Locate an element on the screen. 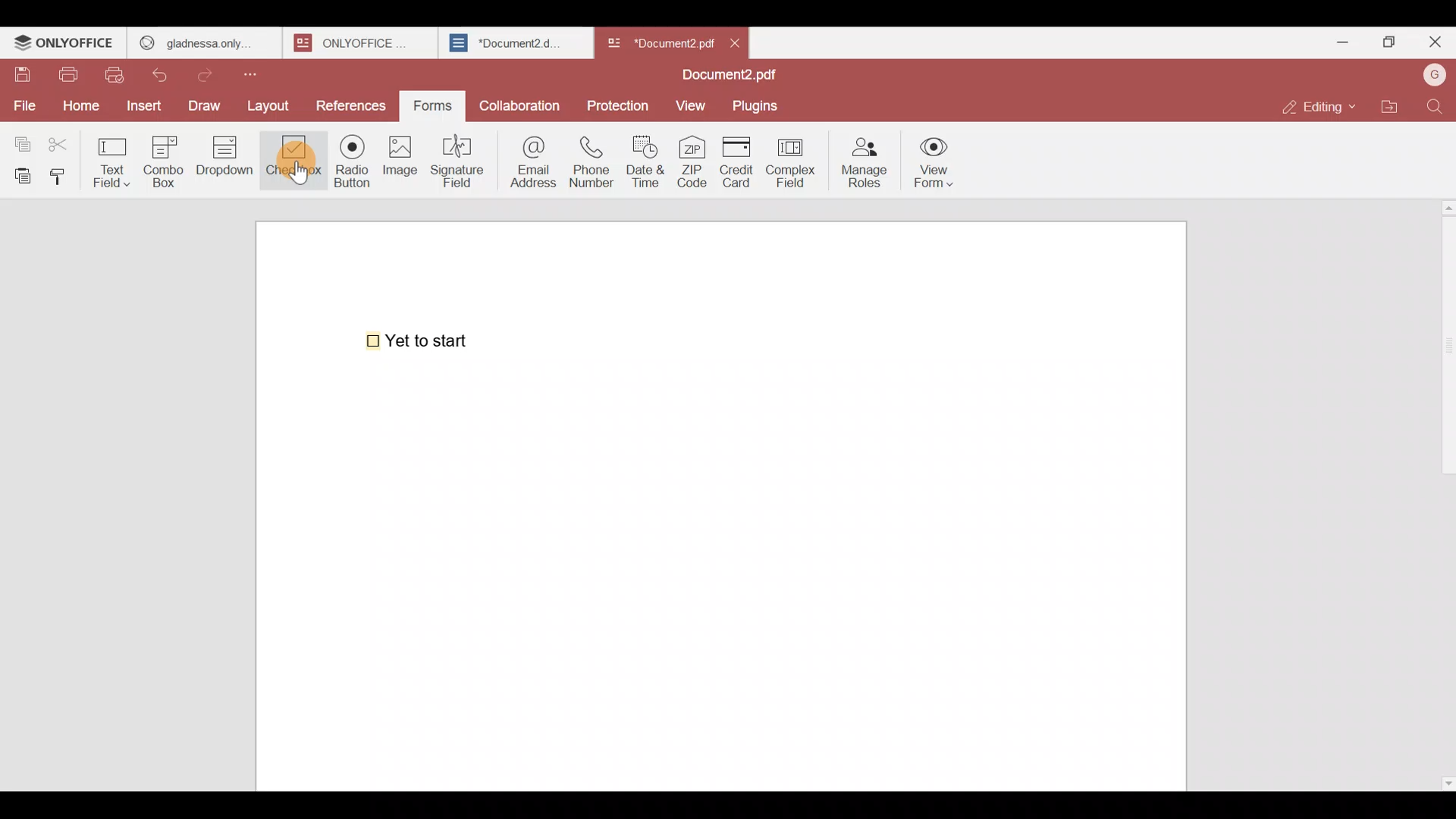  Combo box is located at coordinates (163, 159).